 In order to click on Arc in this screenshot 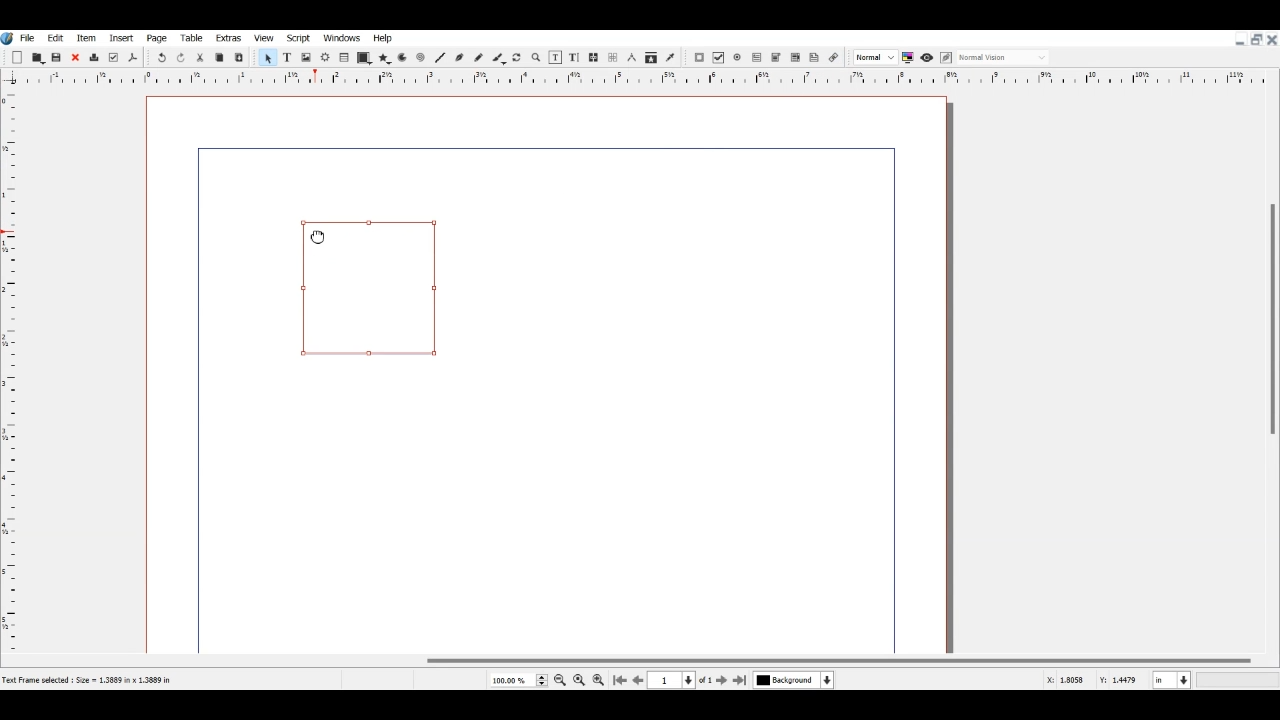, I will do `click(402, 59)`.